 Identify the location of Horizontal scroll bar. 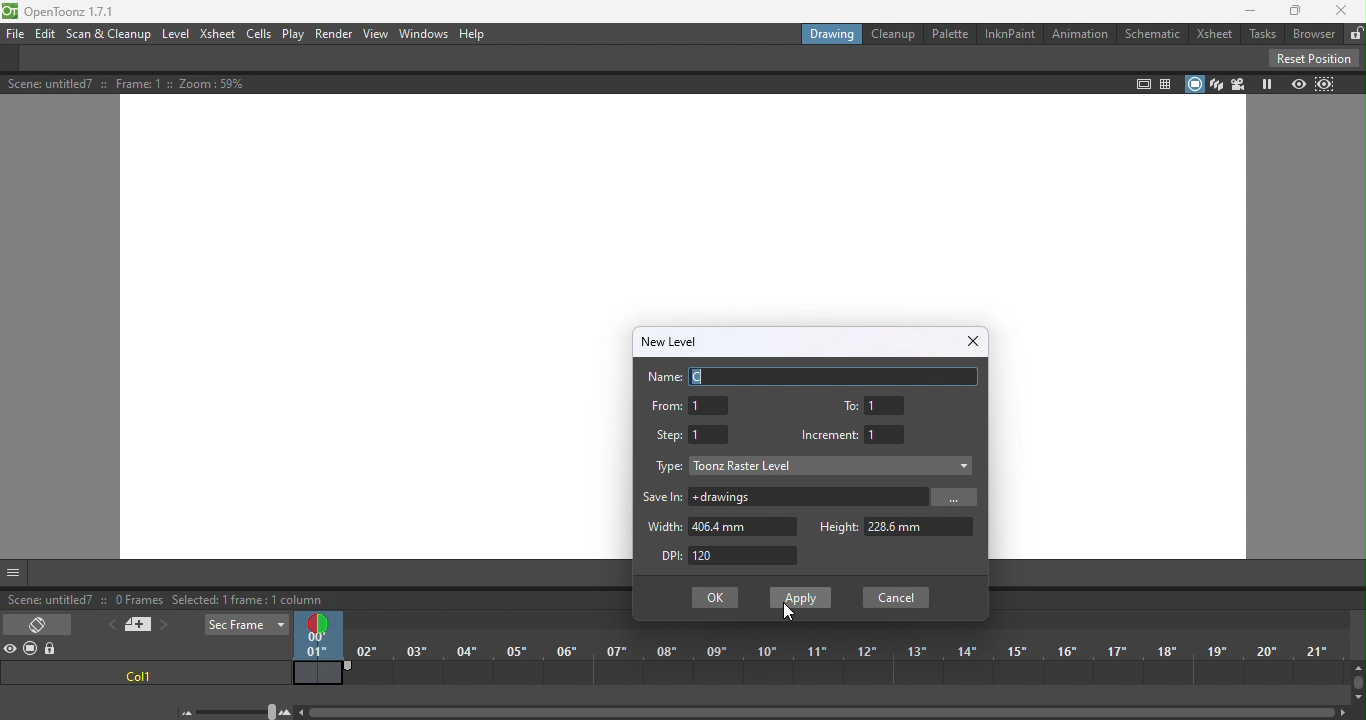
(827, 711).